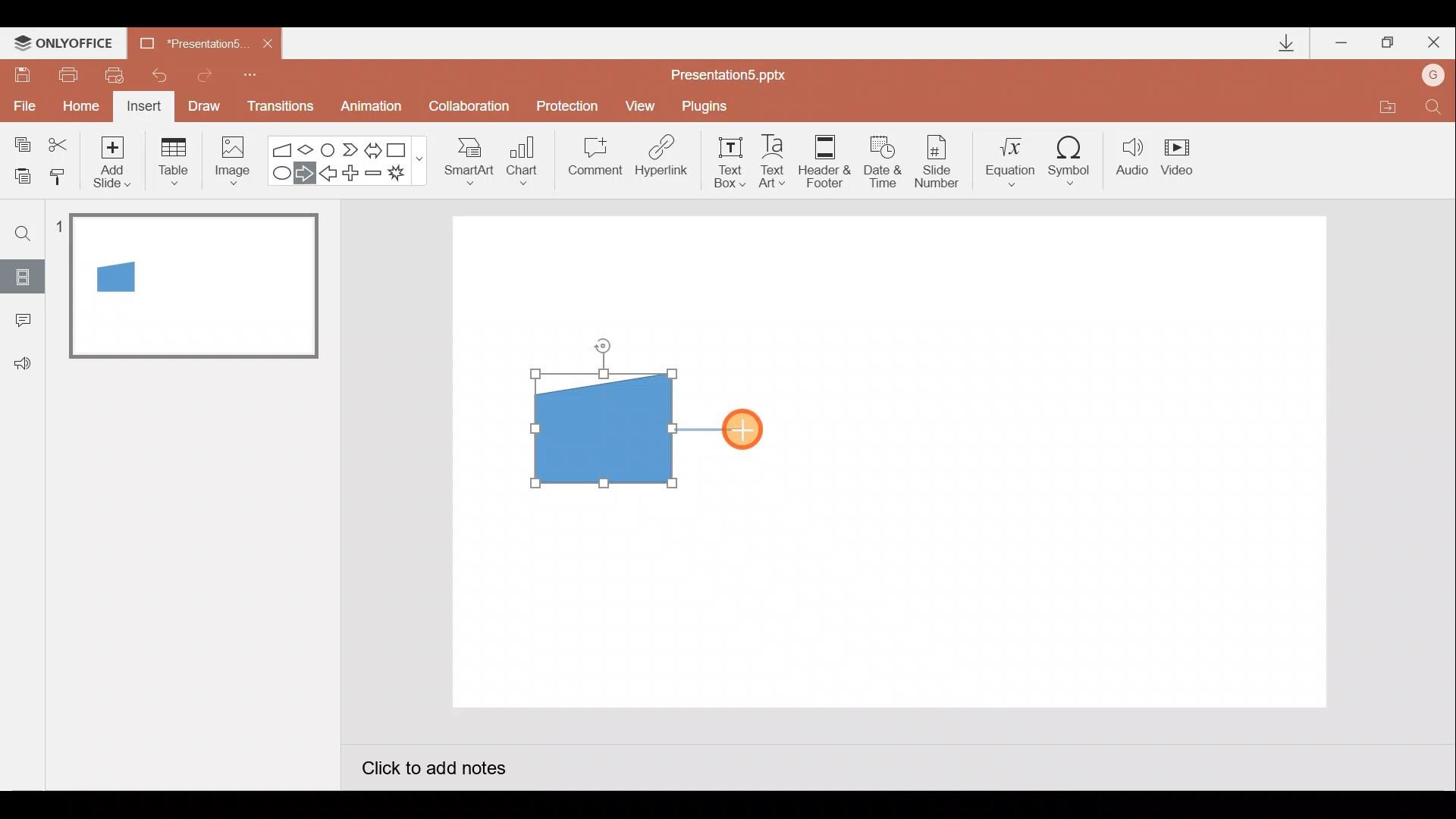 This screenshot has width=1456, height=819. Describe the element at coordinates (824, 160) in the screenshot. I see `Header & footer` at that location.